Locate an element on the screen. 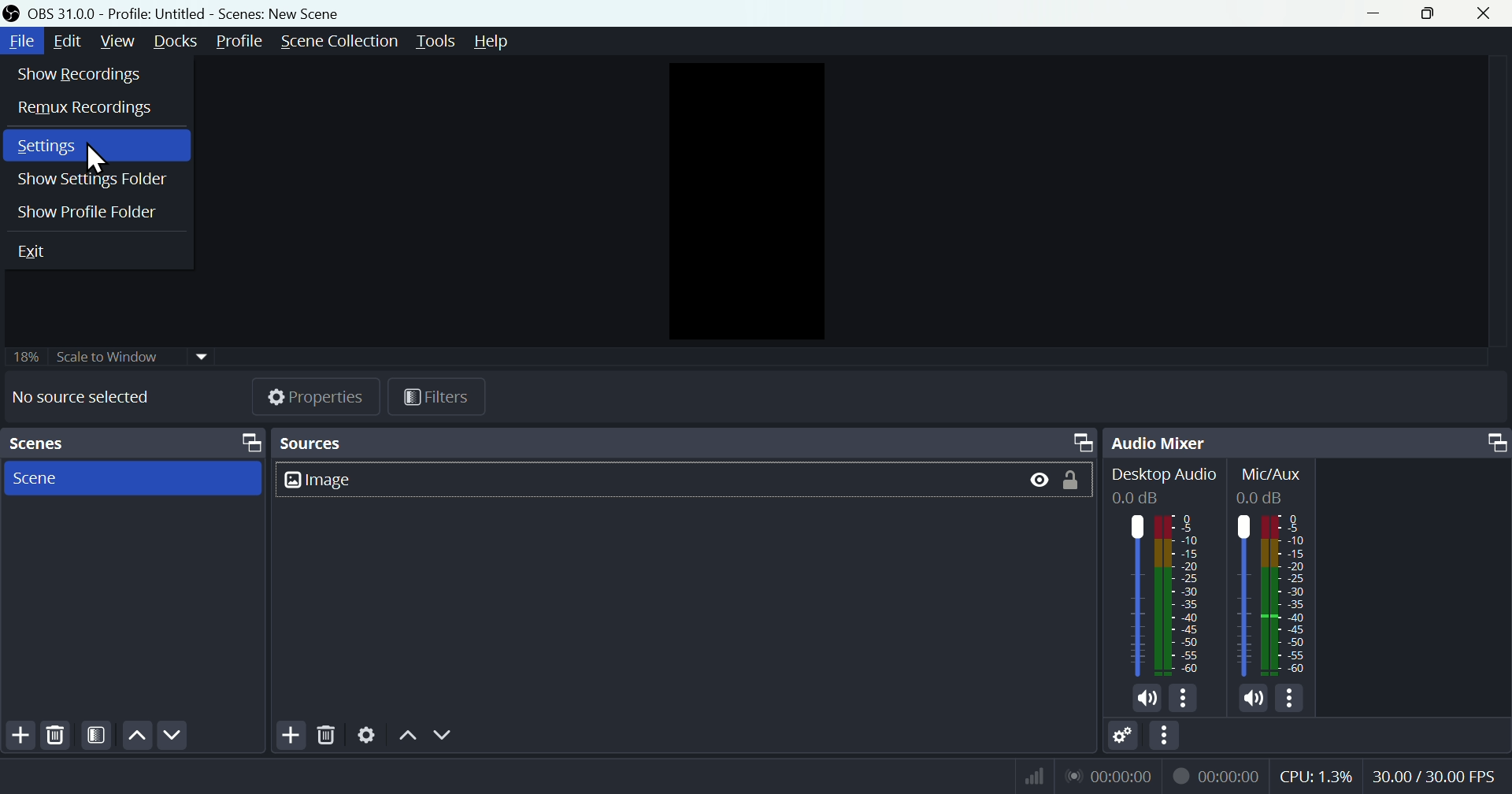 The height and width of the screenshot is (794, 1512). Mic/Aux is located at coordinates (1269, 481).